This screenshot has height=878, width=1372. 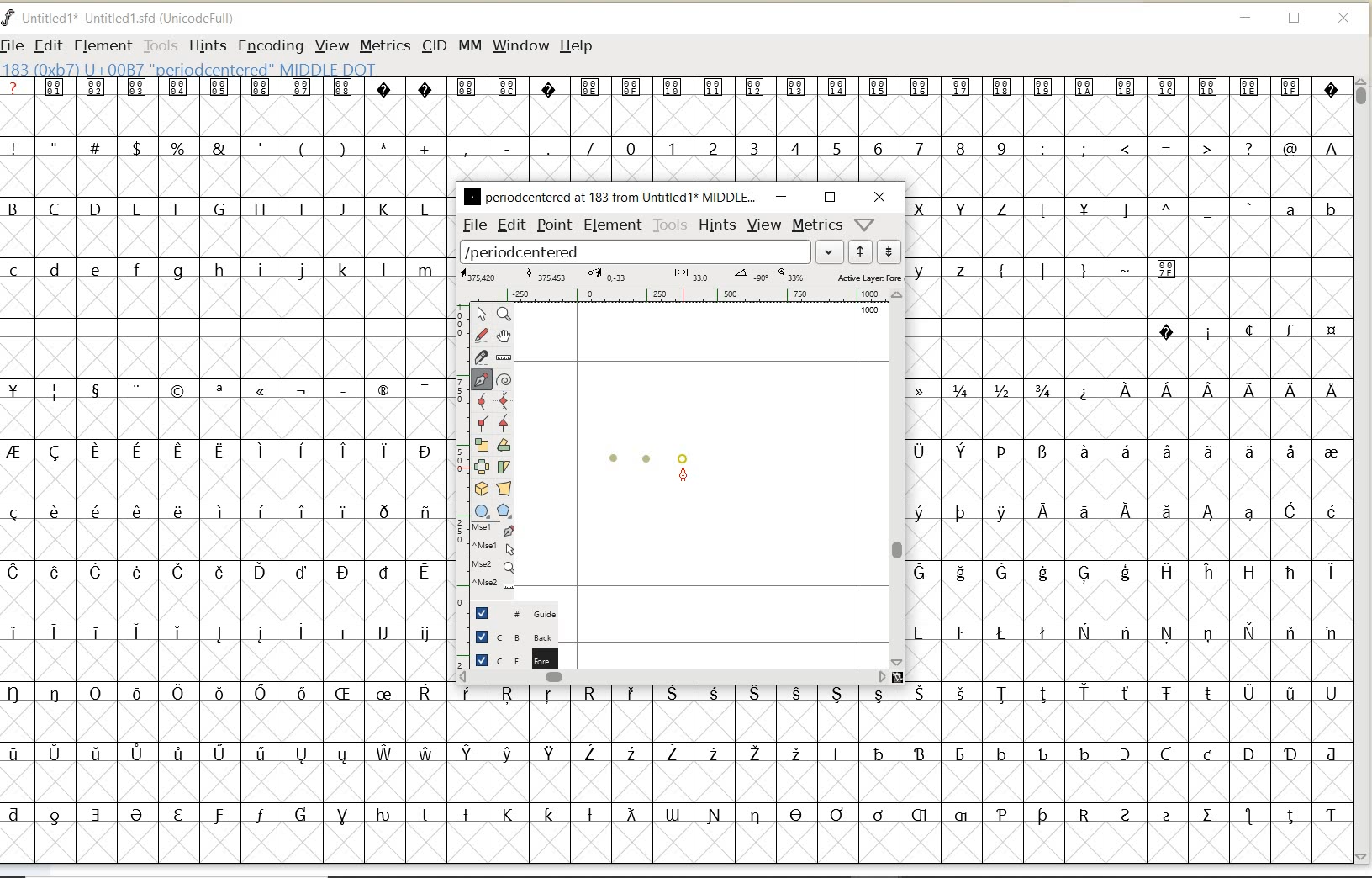 I want to click on HELP, so click(x=576, y=45).